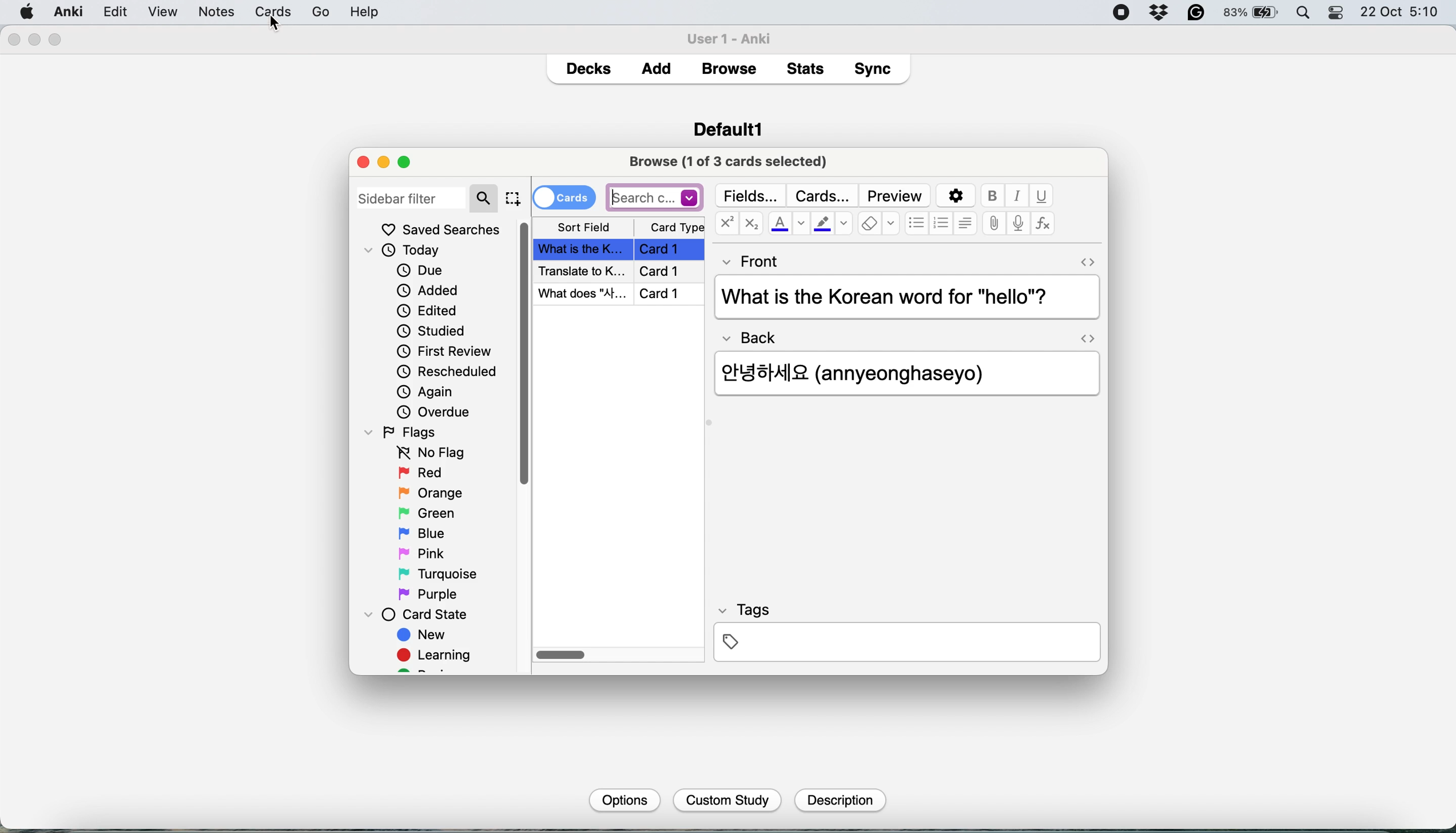 The width and height of the screenshot is (1456, 833). I want to click on resheduled, so click(451, 372).